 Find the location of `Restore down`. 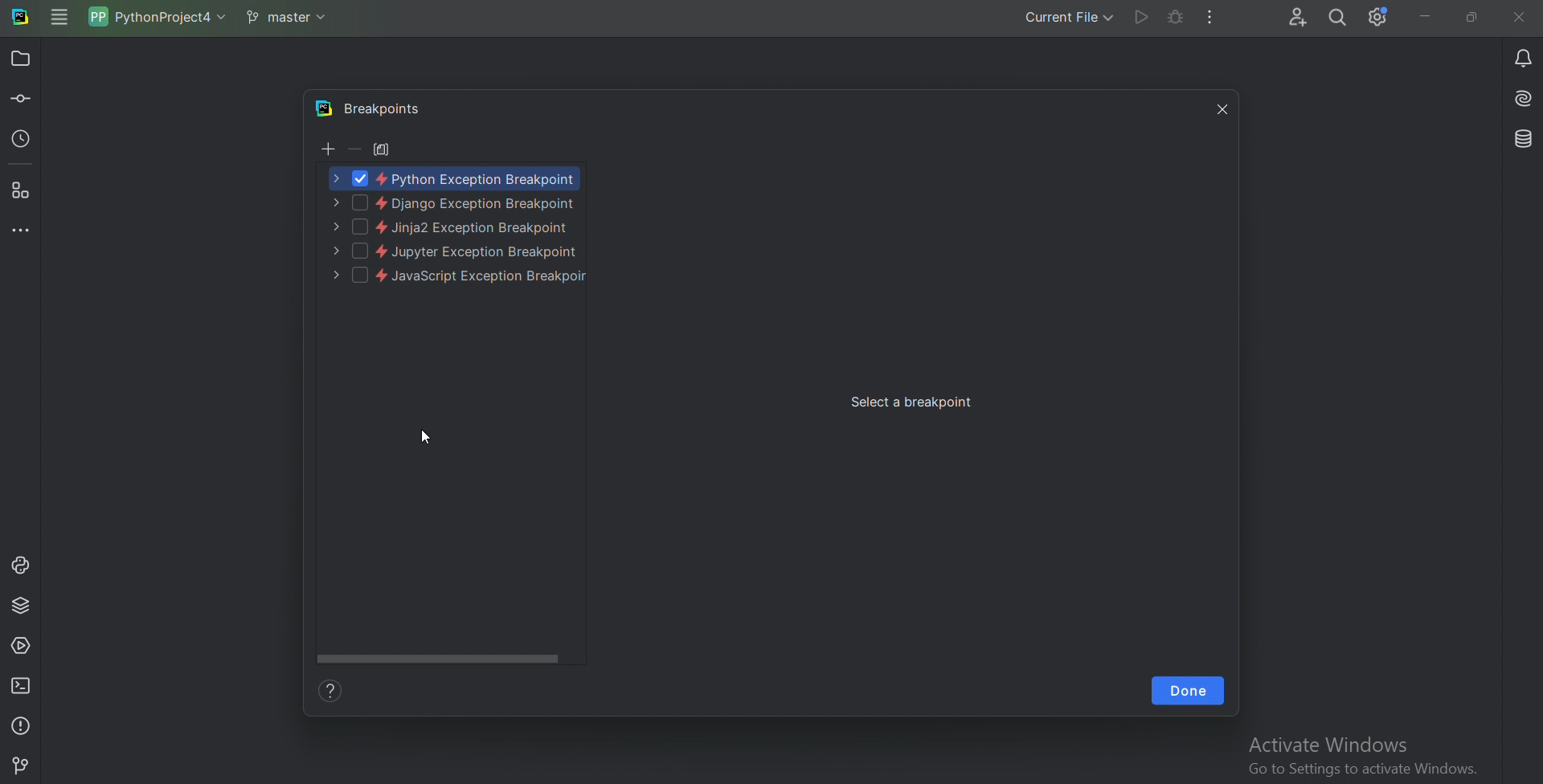

Restore down is located at coordinates (1471, 18).